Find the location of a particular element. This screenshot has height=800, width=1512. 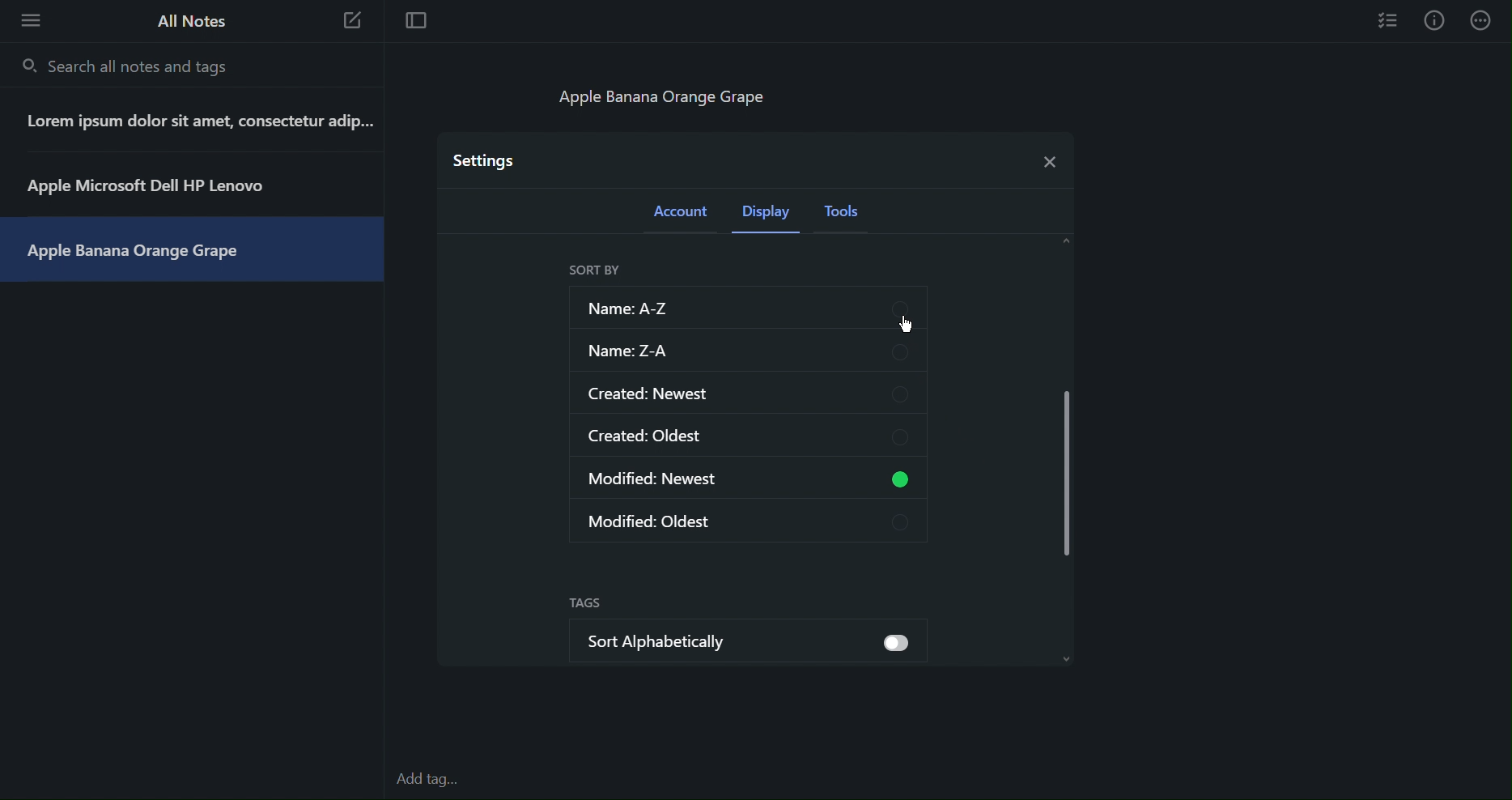

Created: Oldest is located at coordinates (748, 435).